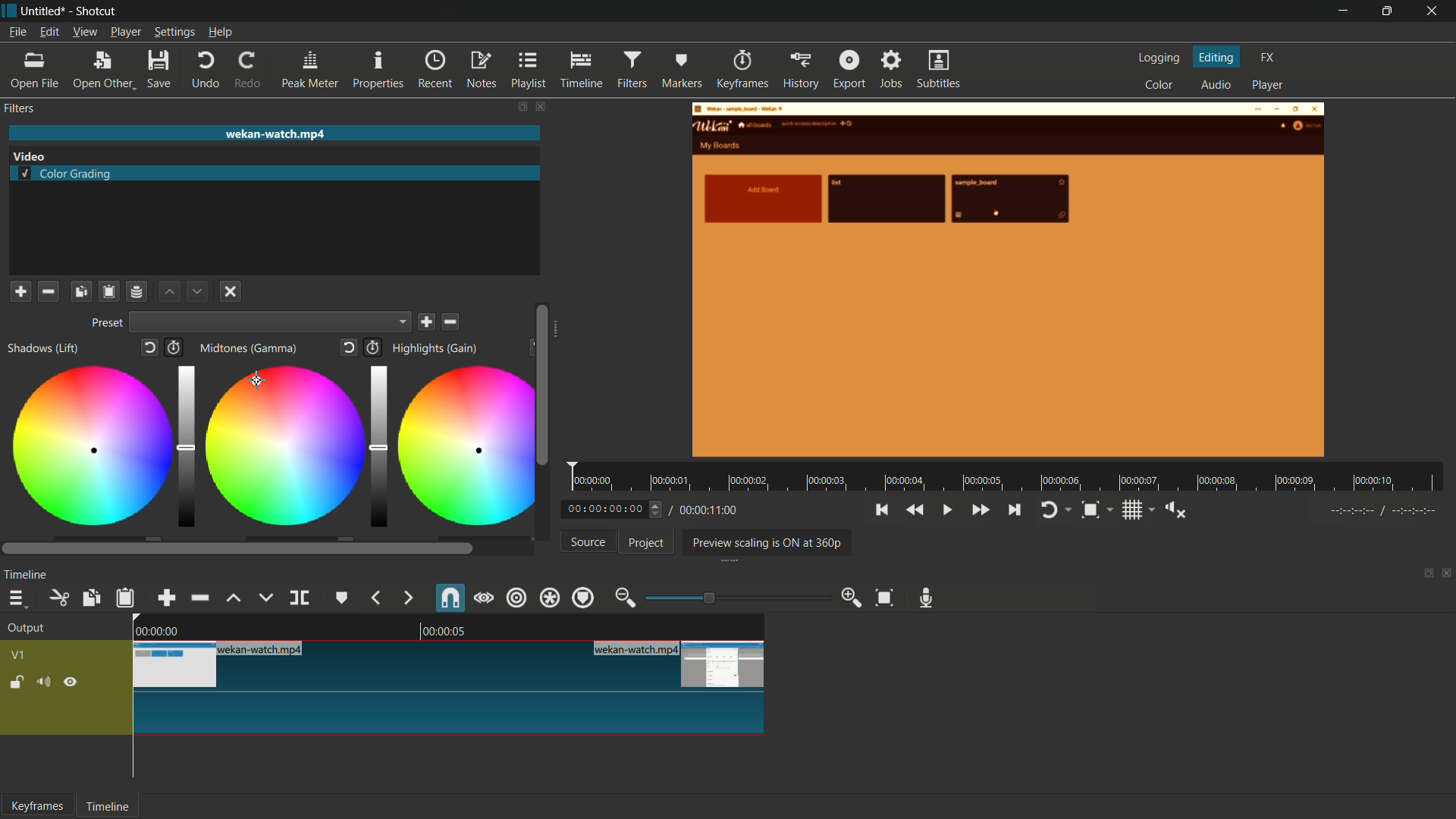 The width and height of the screenshot is (1456, 819). What do you see at coordinates (799, 71) in the screenshot?
I see `history` at bounding box center [799, 71].